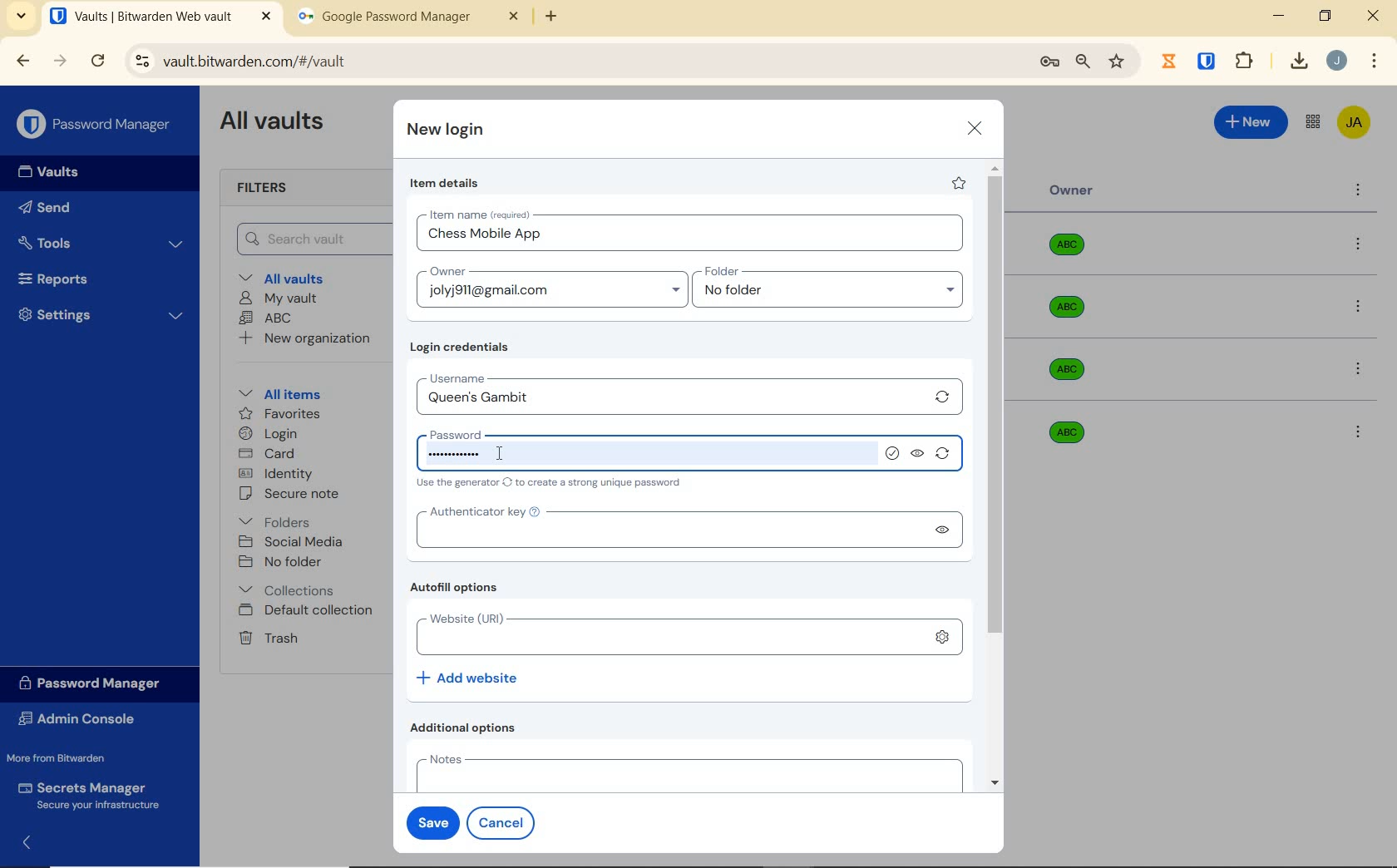 This screenshot has width=1397, height=868. What do you see at coordinates (283, 563) in the screenshot?
I see `No folder` at bounding box center [283, 563].